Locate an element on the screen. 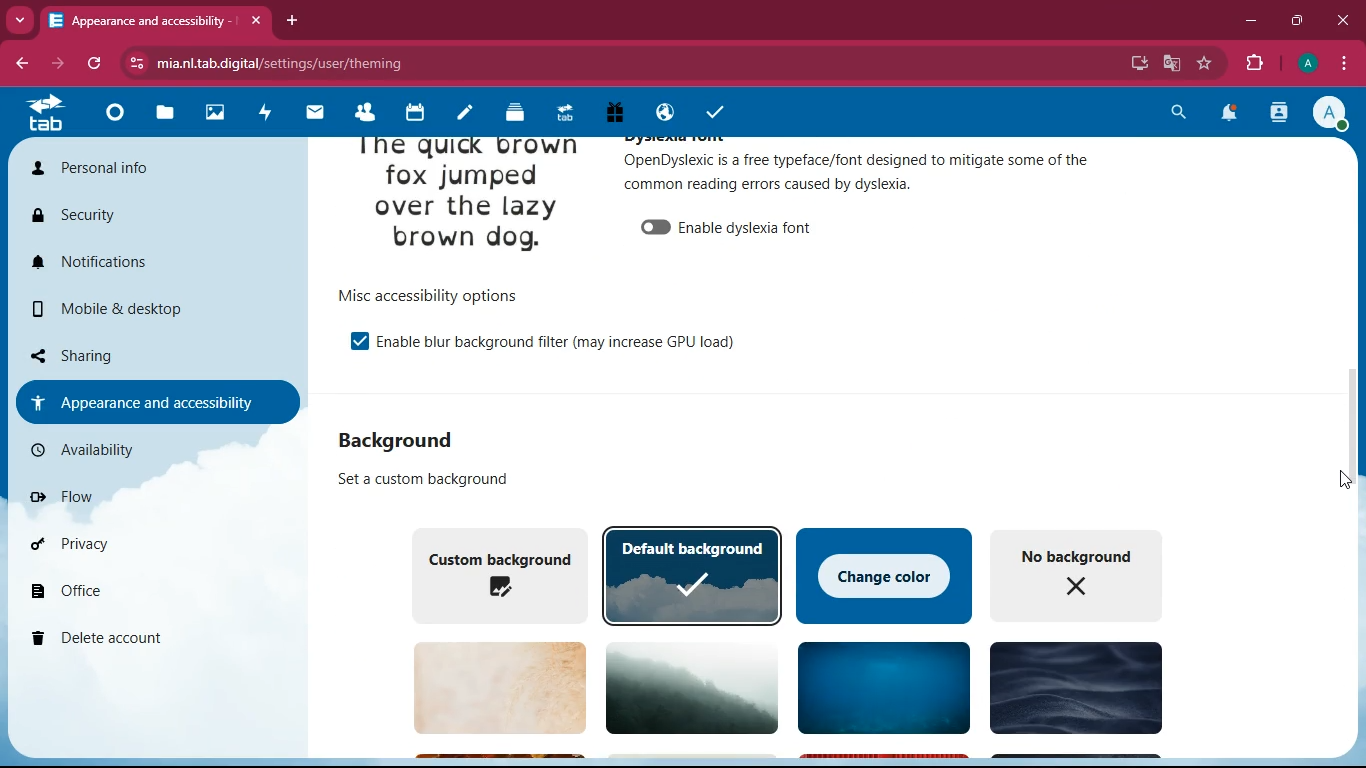 The width and height of the screenshot is (1366, 768). notes is located at coordinates (458, 114).